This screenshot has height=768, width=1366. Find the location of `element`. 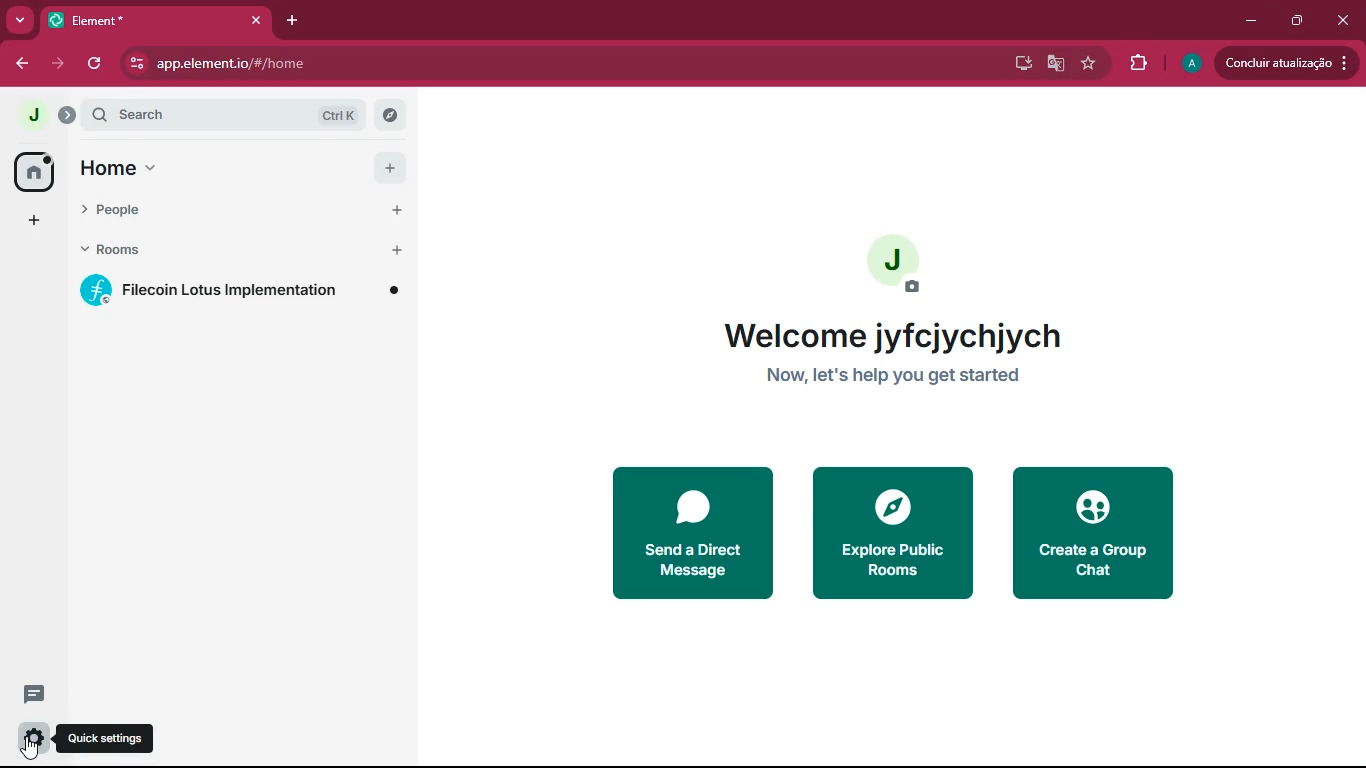

element is located at coordinates (155, 20).